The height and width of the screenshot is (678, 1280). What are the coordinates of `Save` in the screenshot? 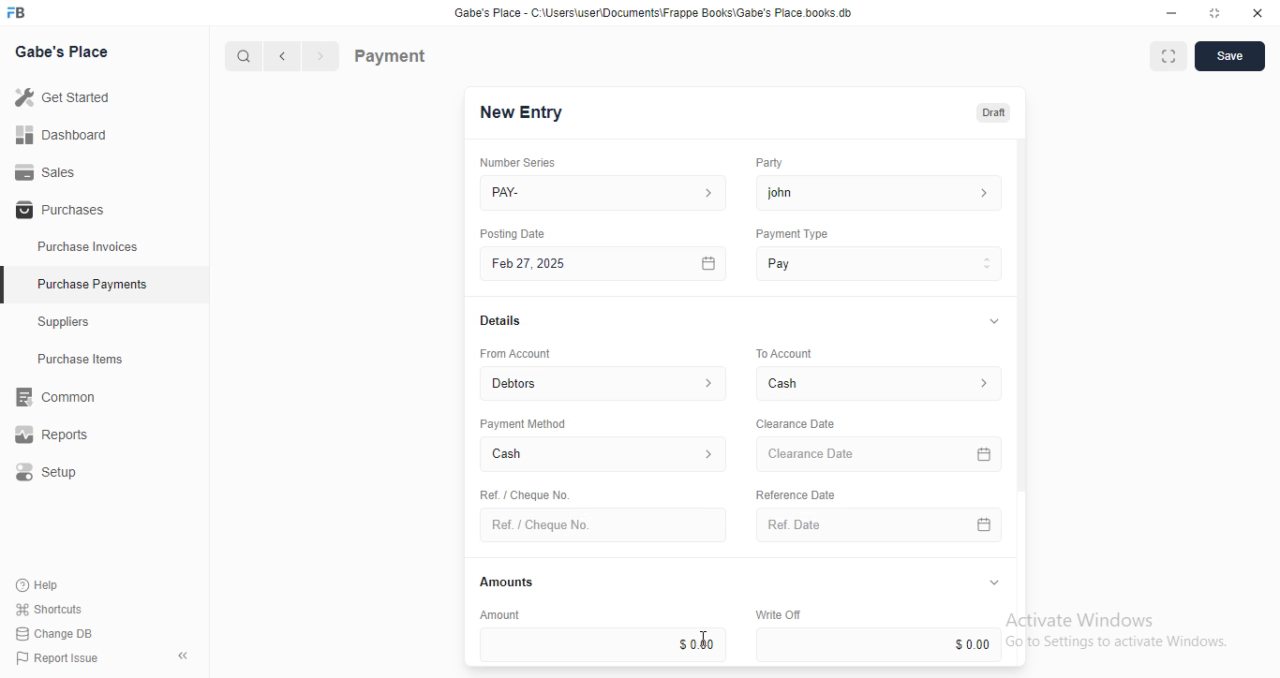 It's located at (1229, 56).